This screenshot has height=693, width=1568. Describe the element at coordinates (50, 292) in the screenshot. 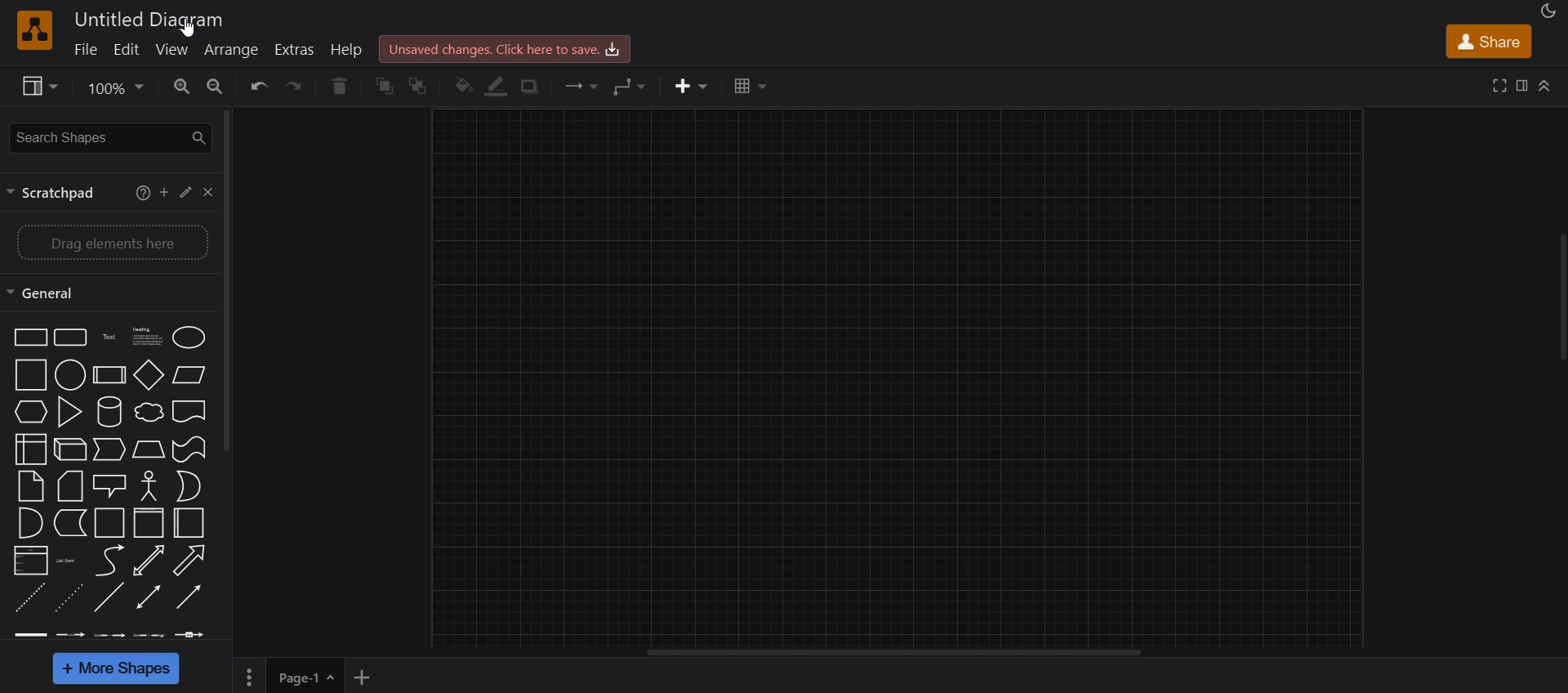

I see `general` at that location.